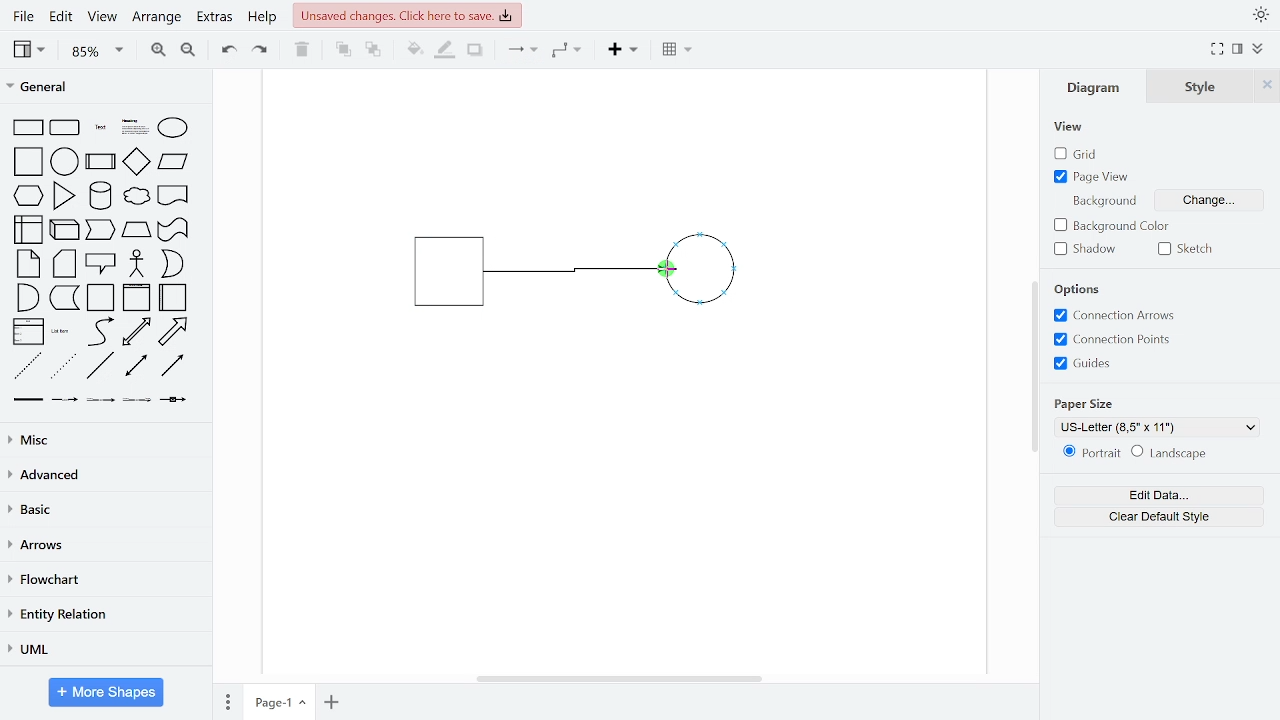  What do you see at coordinates (102, 616) in the screenshot?
I see `entity relation` at bounding box center [102, 616].